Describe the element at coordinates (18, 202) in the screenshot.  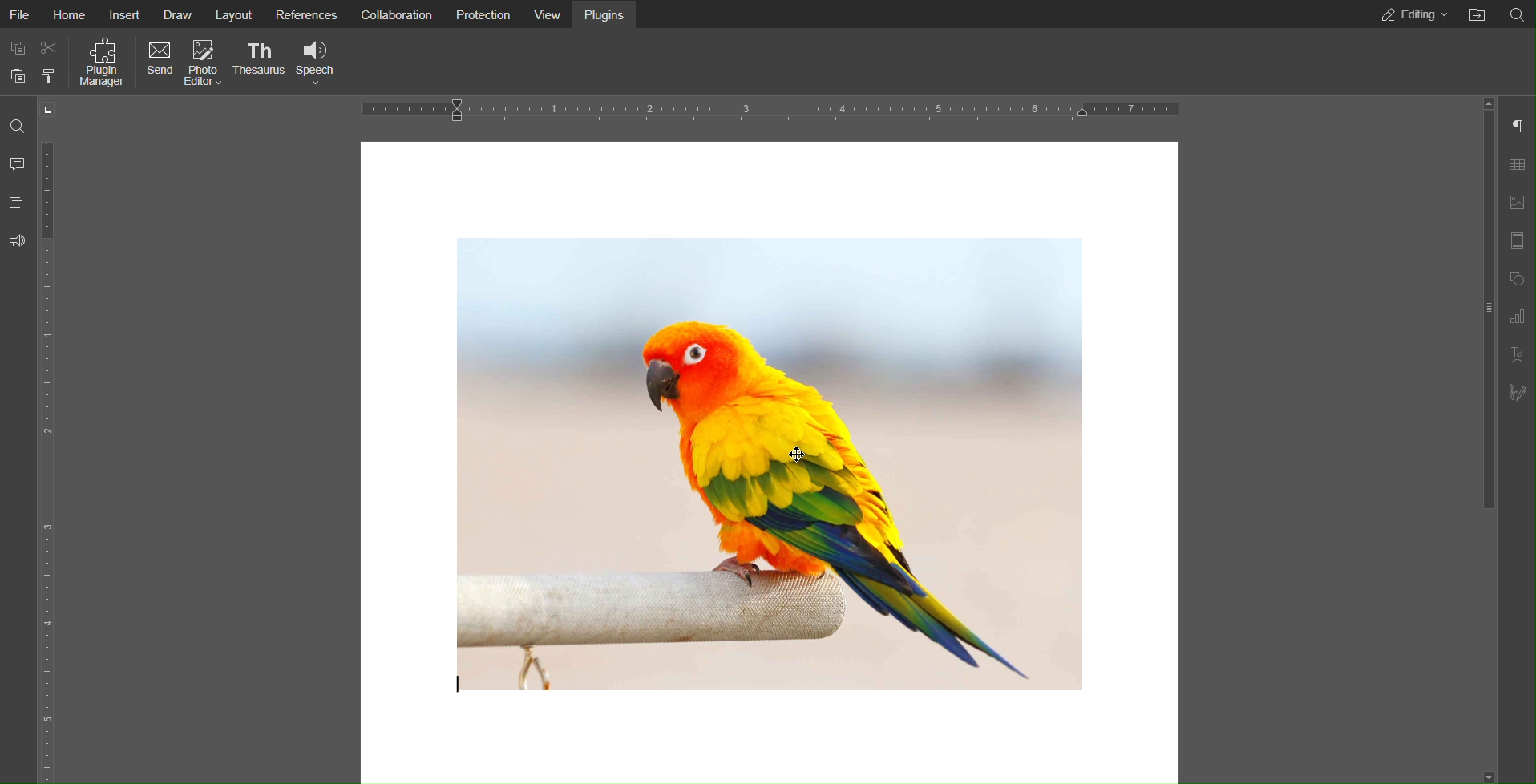
I see `Headings` at that location.